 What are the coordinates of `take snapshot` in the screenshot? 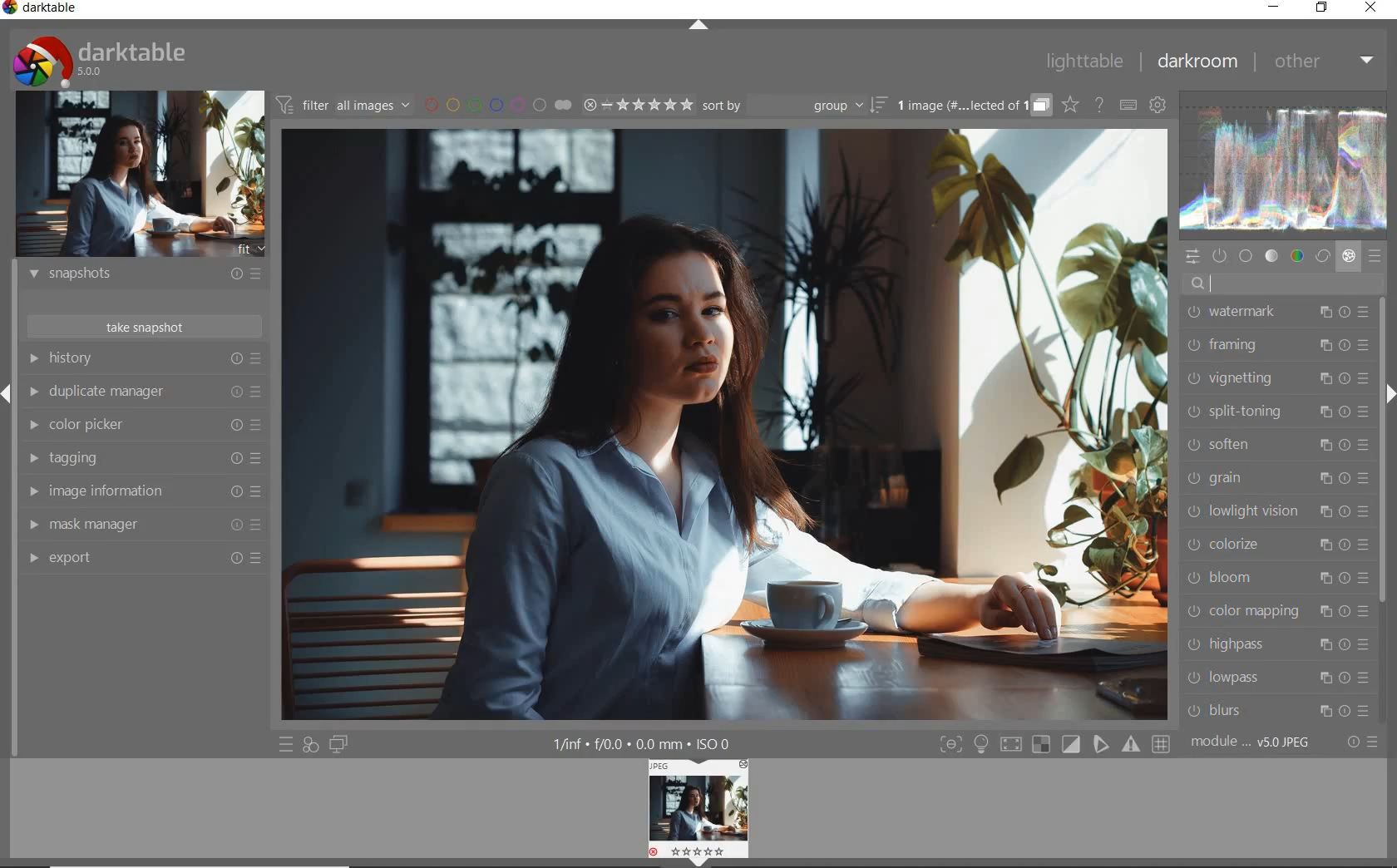 It's located at (143, 326).